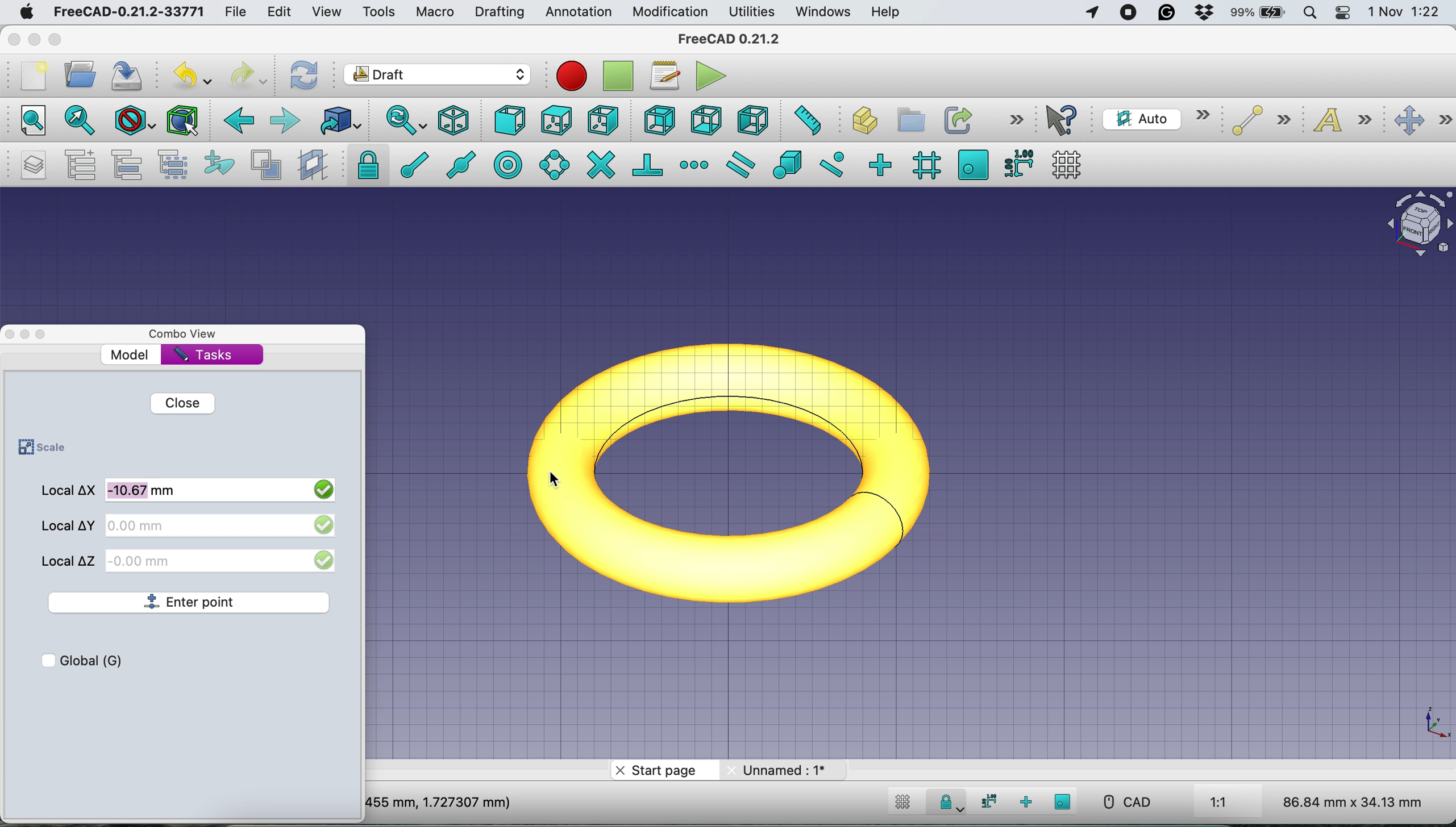  I want to click on more options, so click(1014, 120).